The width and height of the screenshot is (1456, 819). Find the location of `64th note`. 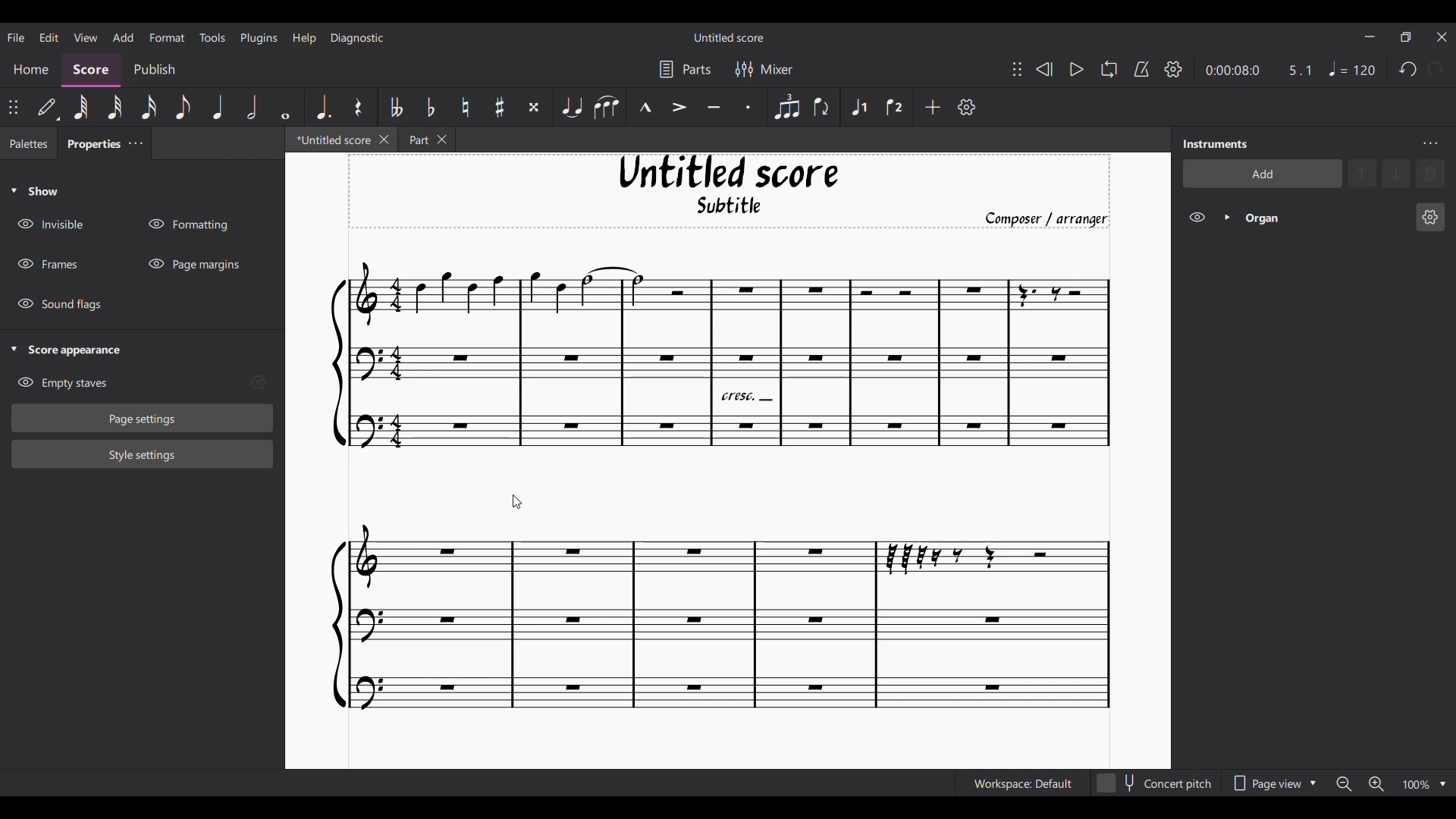

64th note is located at coordinates (80, 108).